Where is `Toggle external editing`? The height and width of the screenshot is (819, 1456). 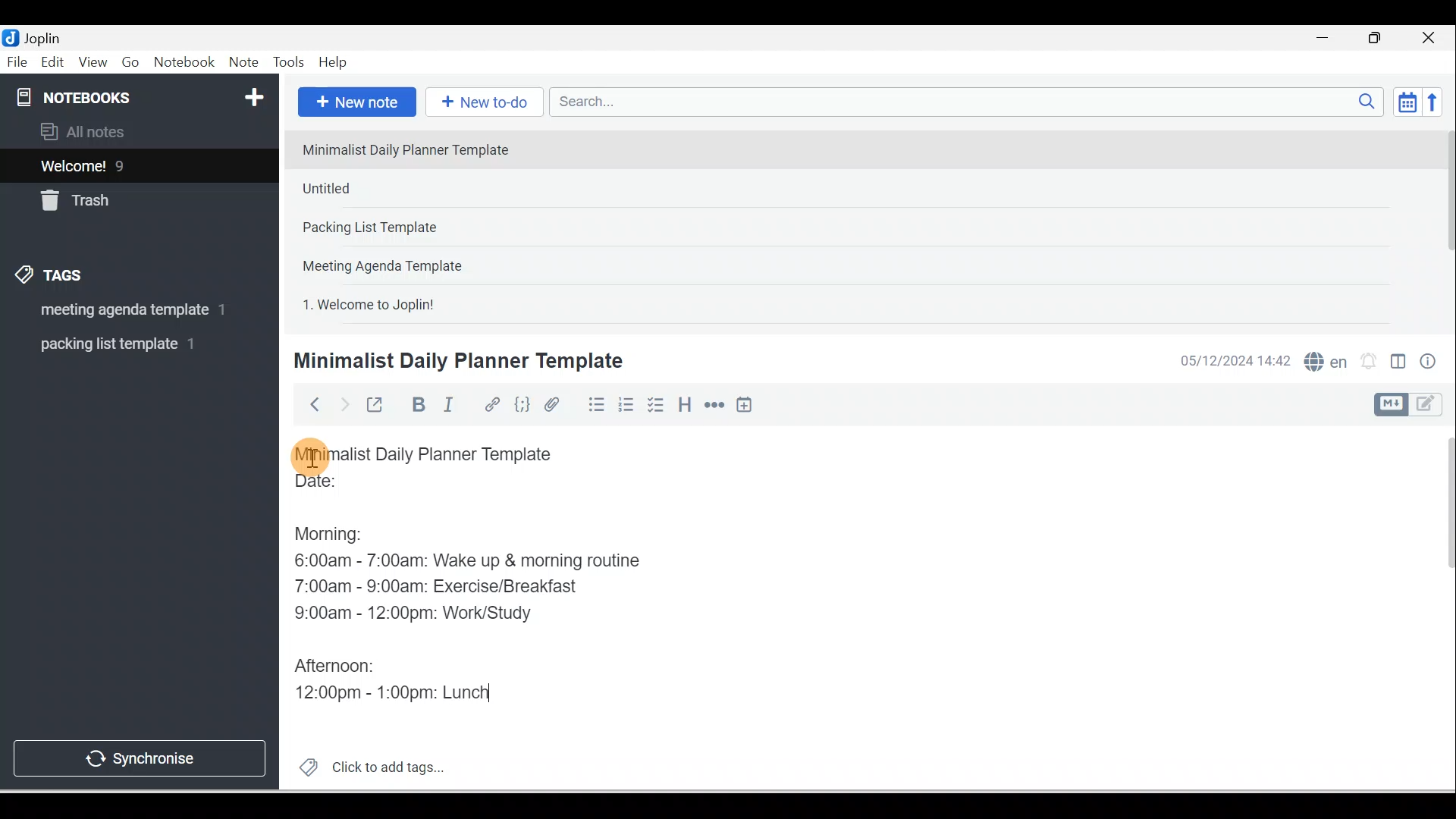
Toggle external editing is located at coordinates (377, 408).